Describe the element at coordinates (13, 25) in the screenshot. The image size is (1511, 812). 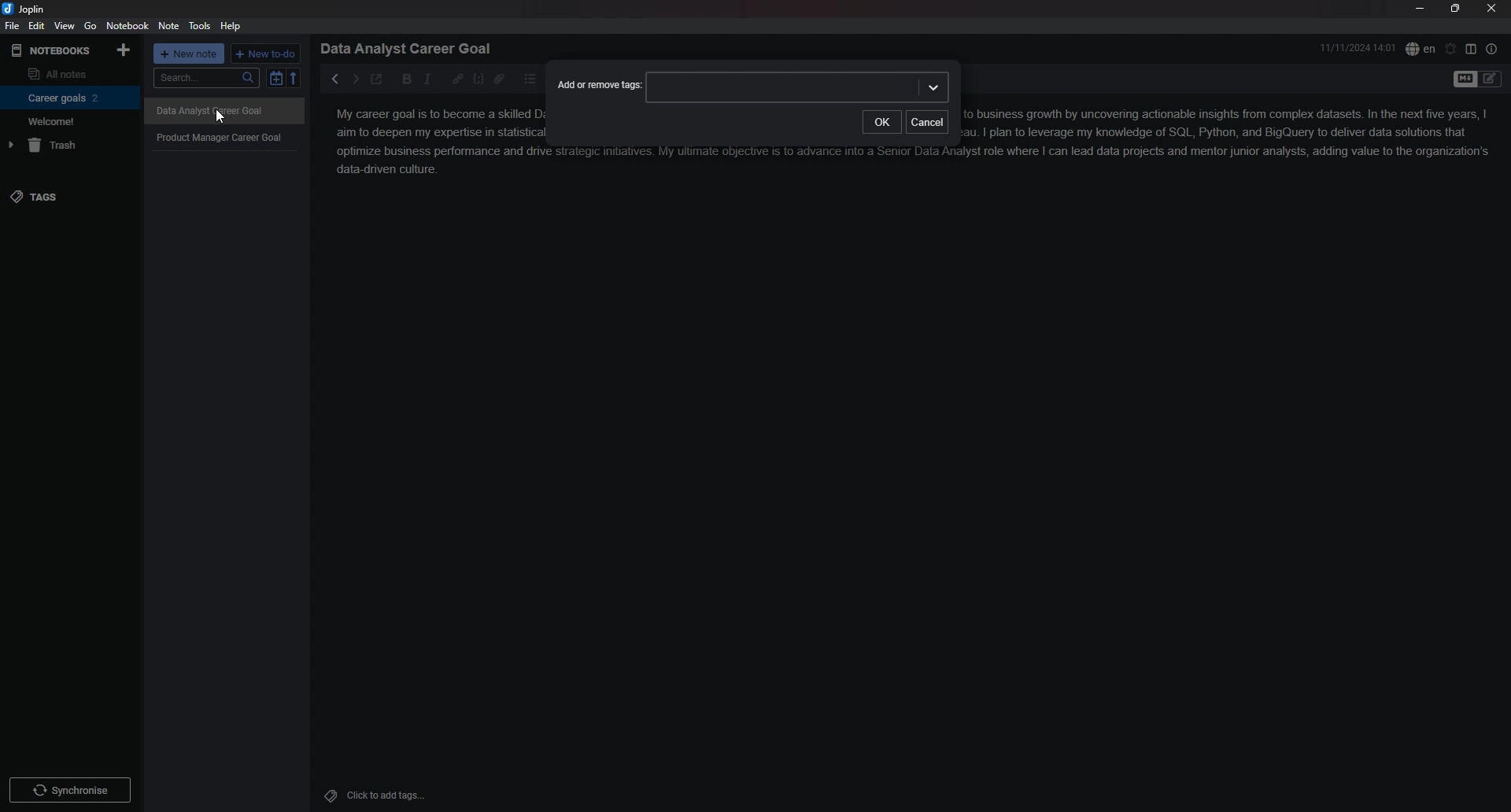
I see `file` at that location.